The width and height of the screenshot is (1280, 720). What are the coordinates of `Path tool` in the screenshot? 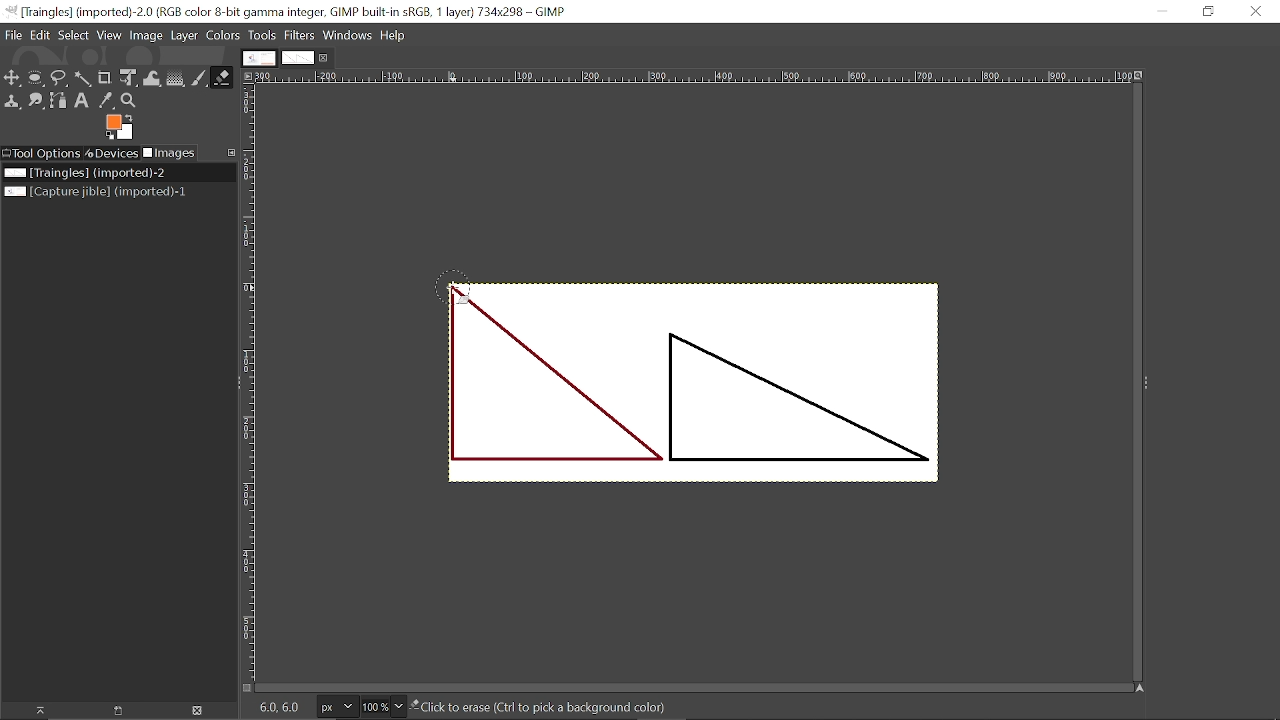 It's located at (58, 101).